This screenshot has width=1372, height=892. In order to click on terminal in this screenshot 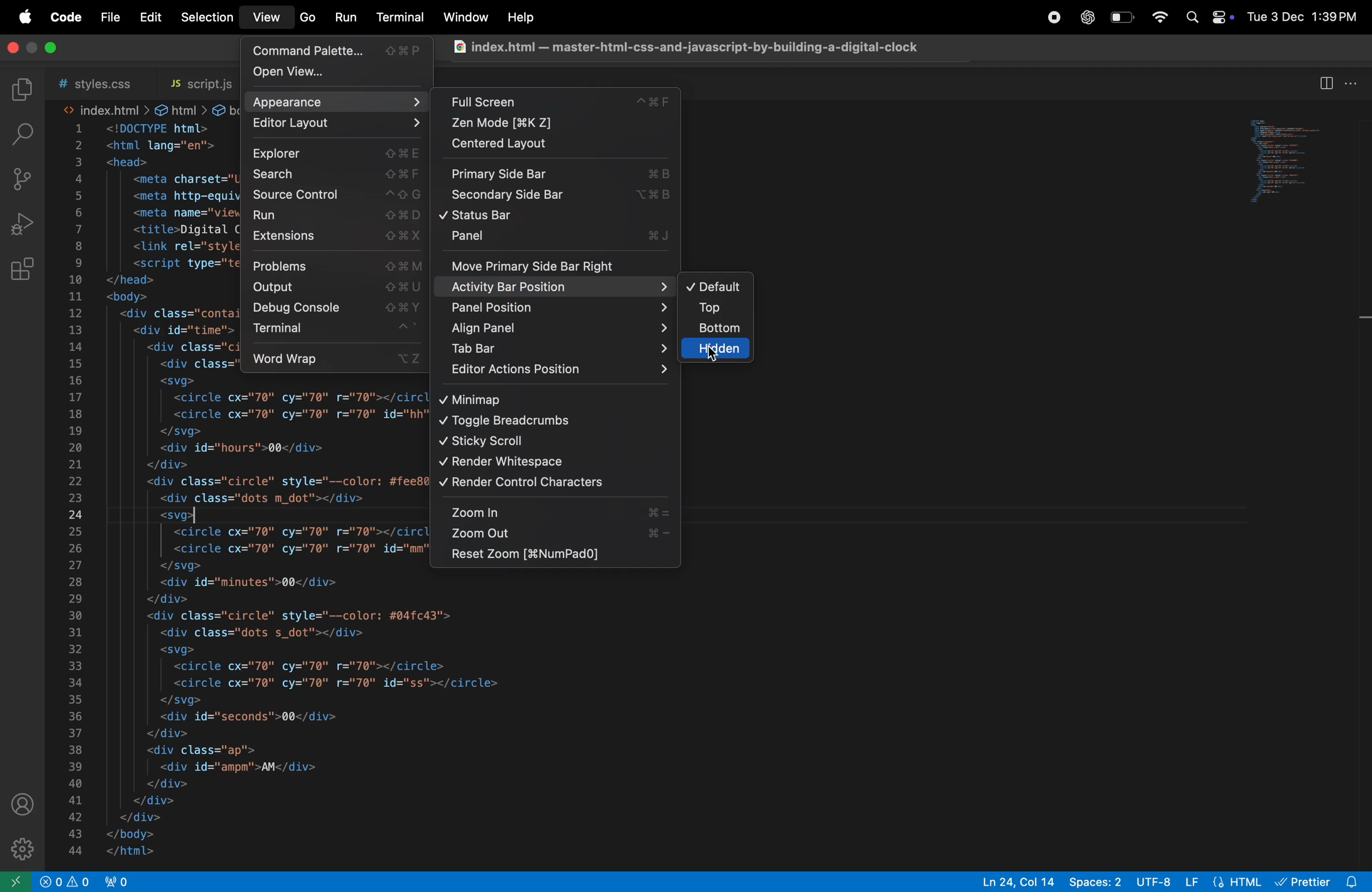, I will do `click(398, 17)`.